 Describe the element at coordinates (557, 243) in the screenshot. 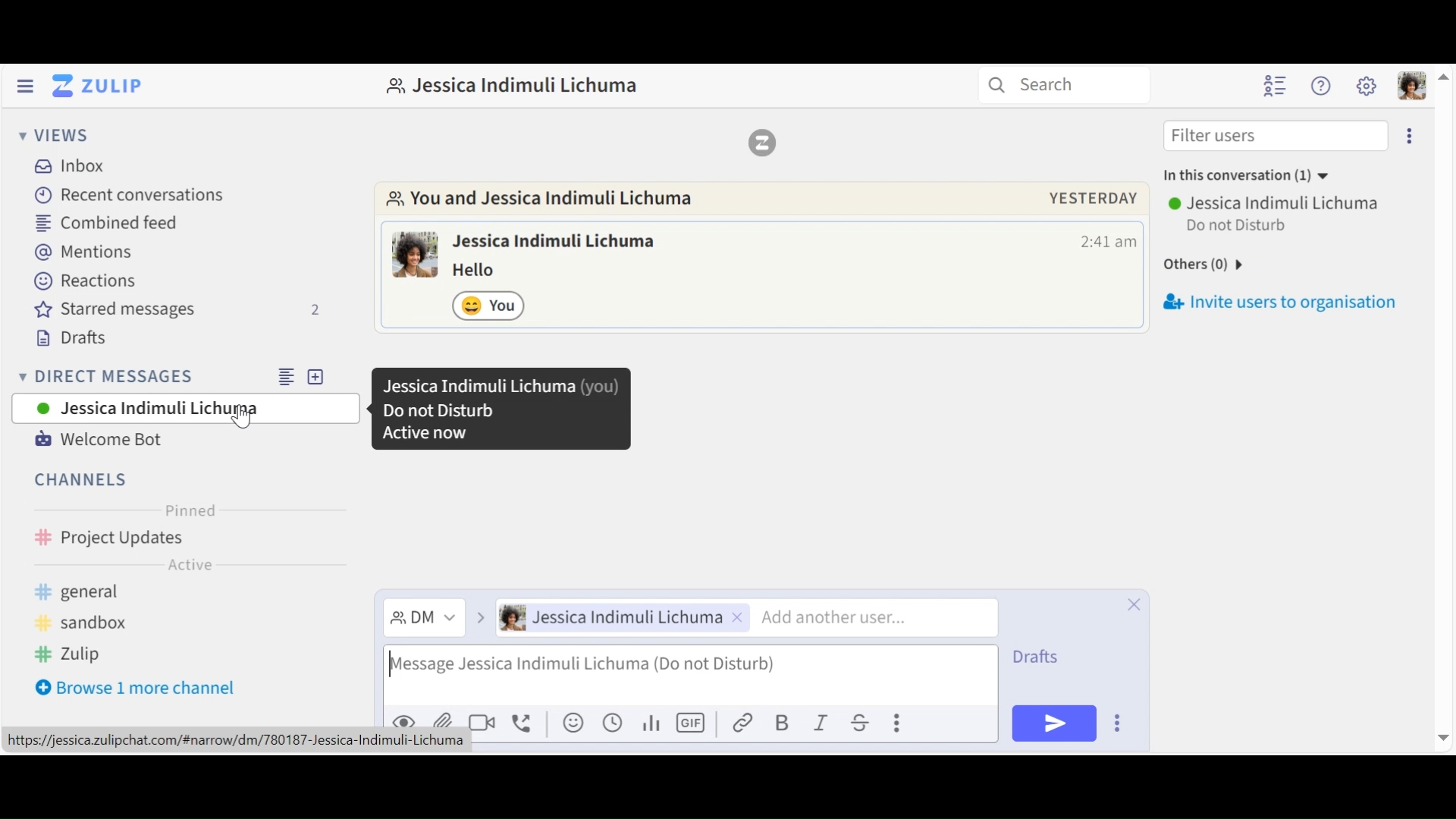

I see `View user card` at that location.